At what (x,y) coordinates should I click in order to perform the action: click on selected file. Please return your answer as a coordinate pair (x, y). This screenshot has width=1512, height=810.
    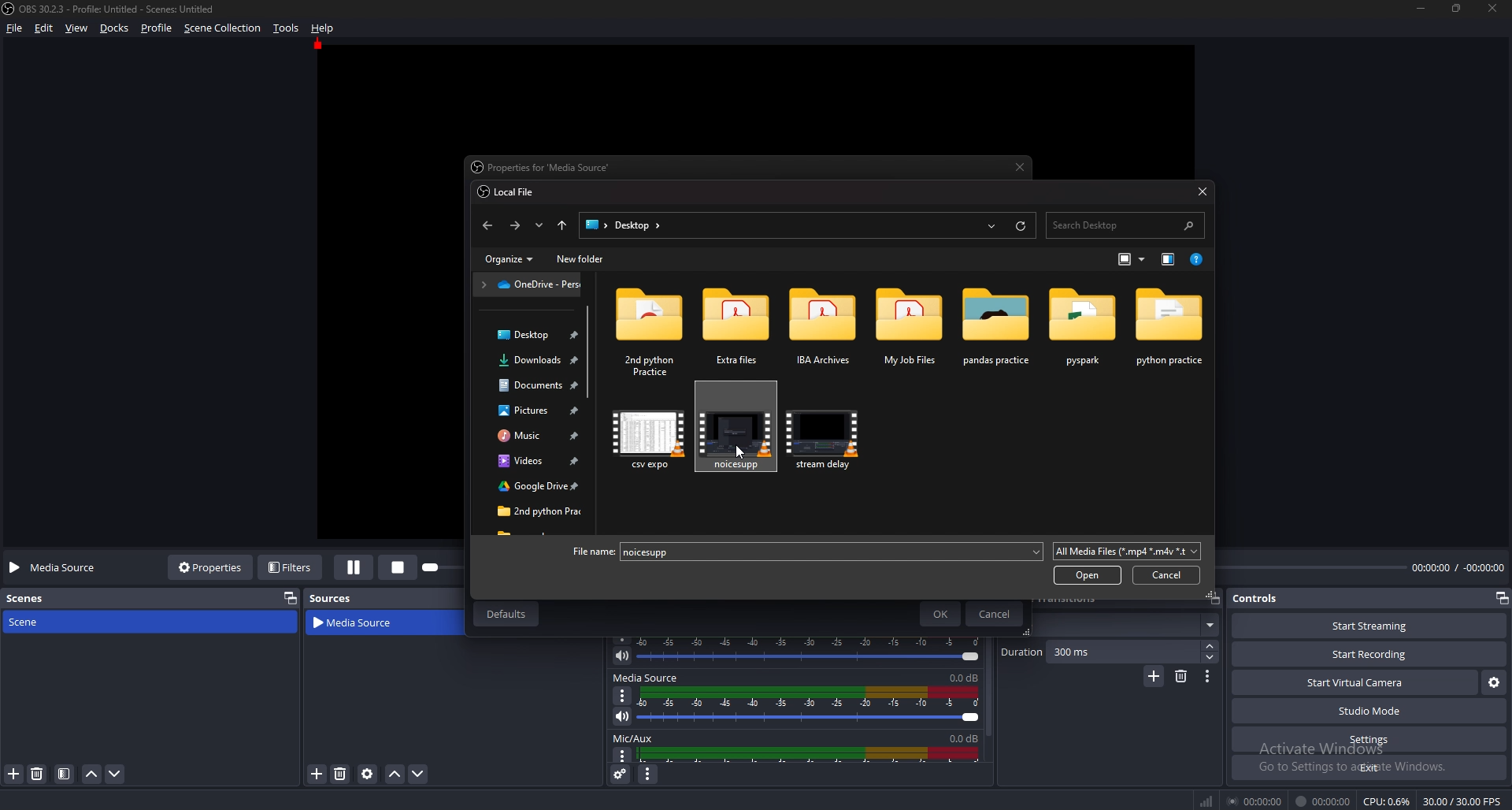
    Looking at the image, I should click on (661, 551).